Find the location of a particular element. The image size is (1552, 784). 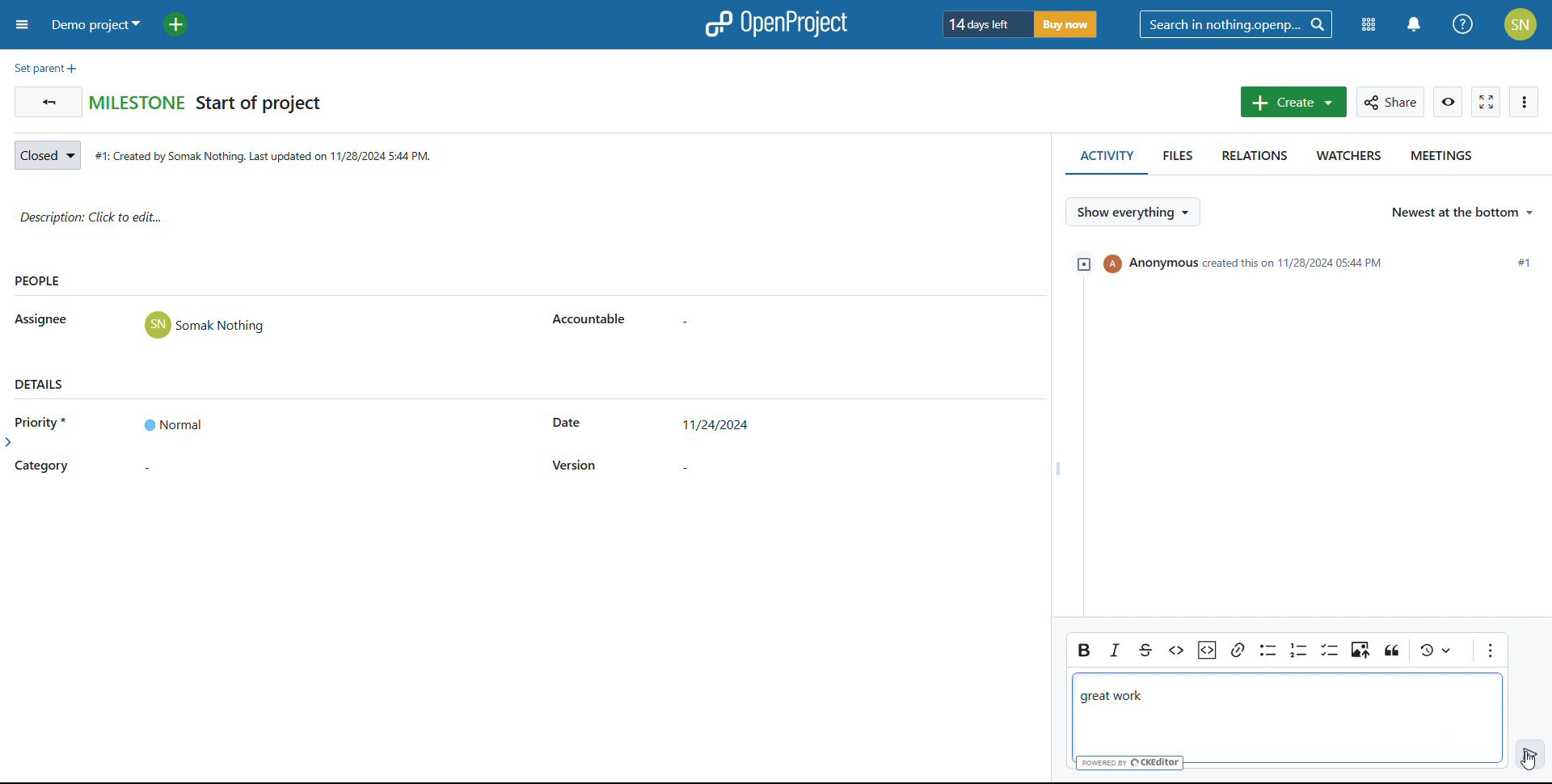

activate zen mode is located at coordinates (1487, 103).